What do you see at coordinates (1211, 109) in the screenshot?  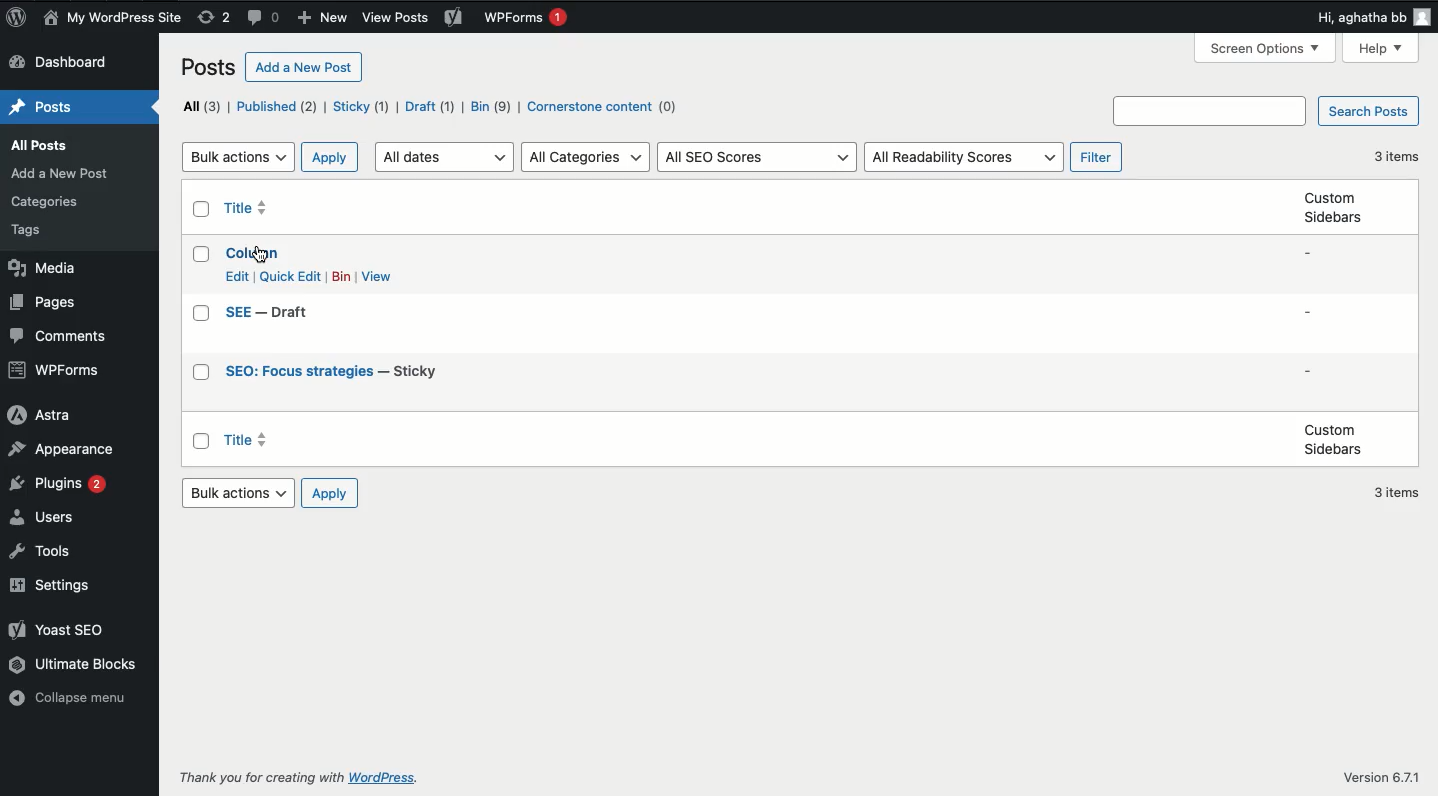 I see `search` at bounding box center [1211, 109].